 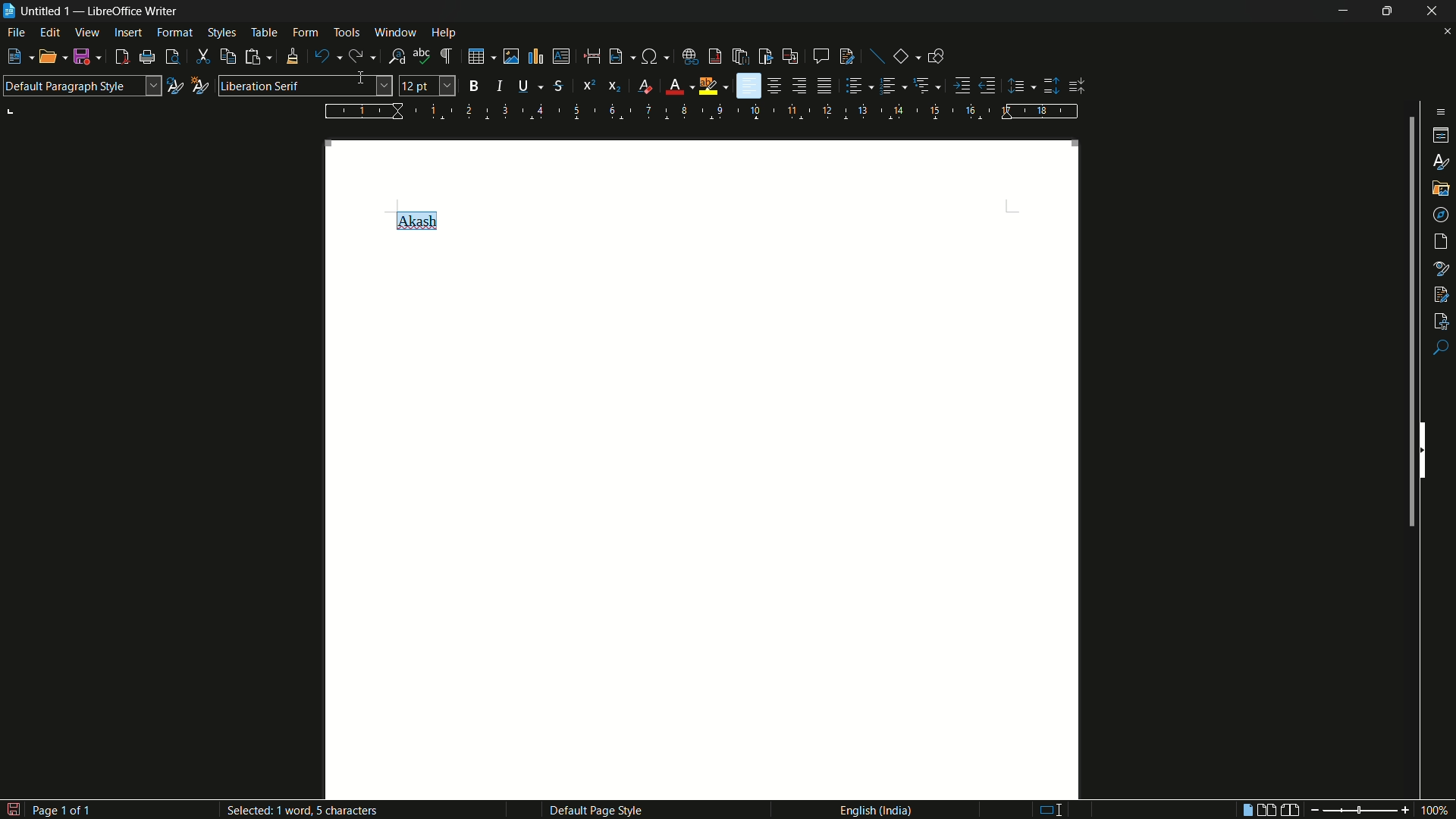 What do you see at coordinates (475, 86) in the screenshot?
I see `bold` at bounding box center [475, 86].